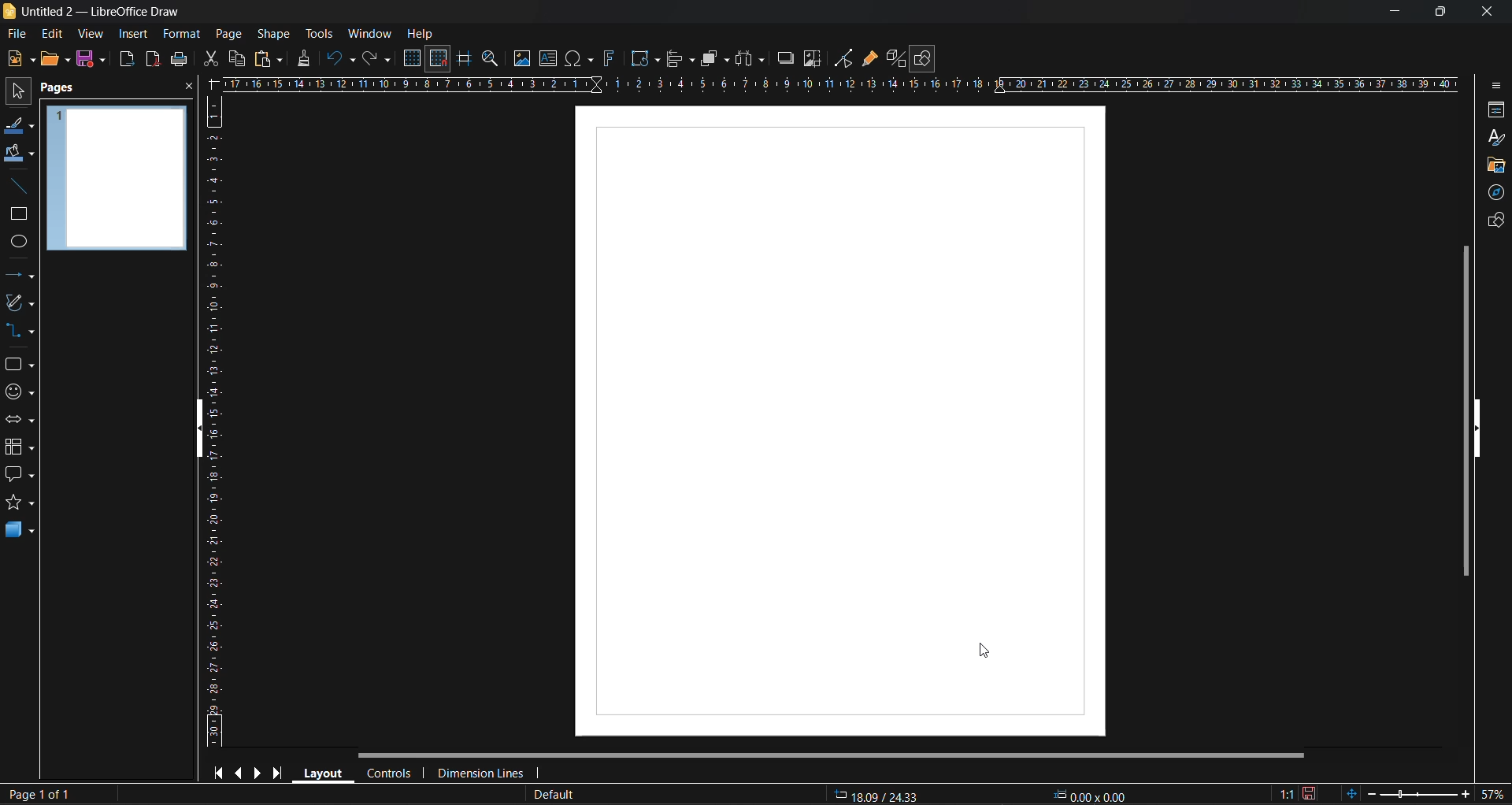 The width and height of the screenshot is (1512, 805). What do you see at coordinates (1492, 795) in the screenshot?
I see `zoom factor` at bounding box center [1492, 795].